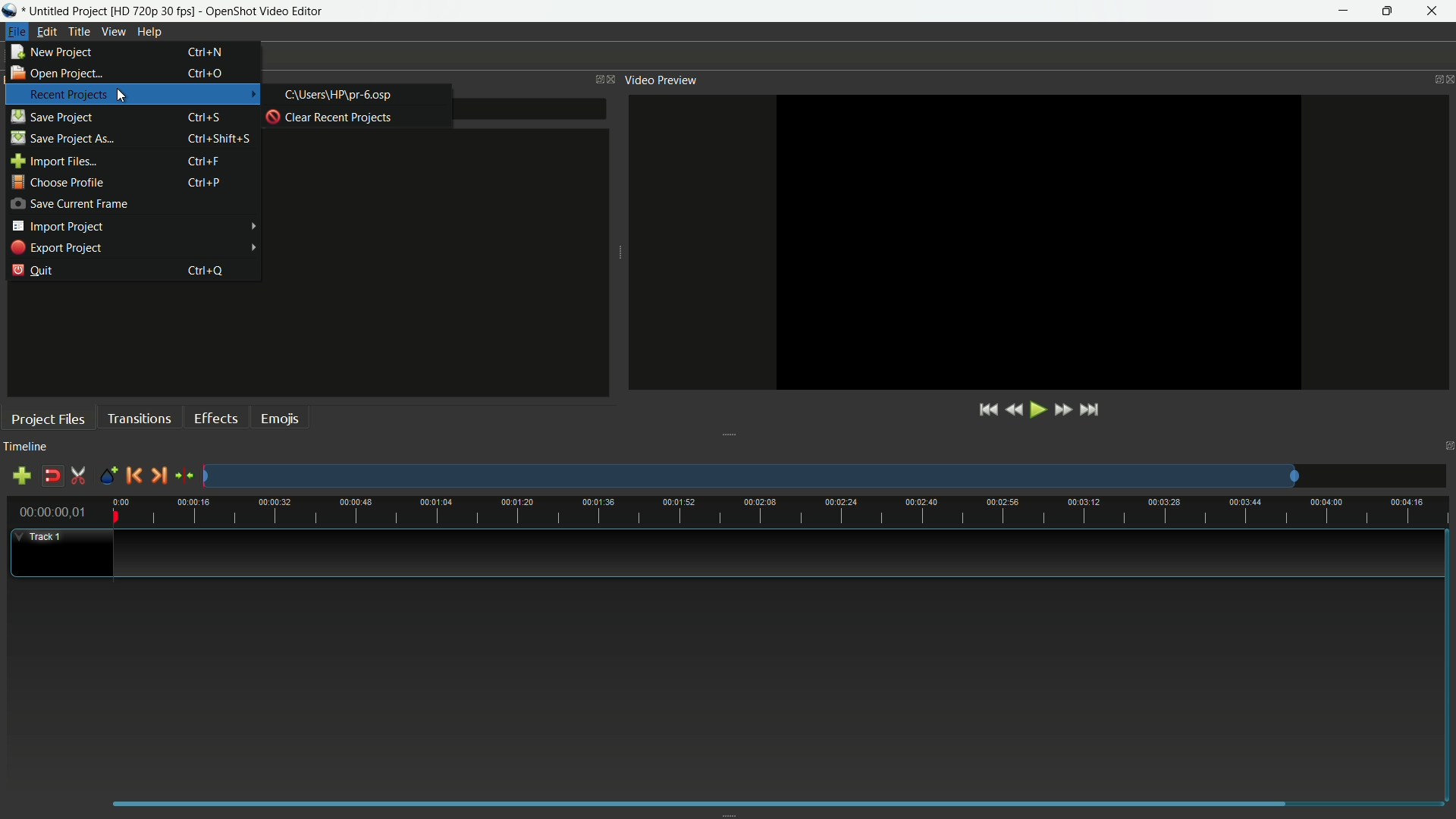 This screenshot has width=1456, height=819. I want to click on choose profile, so click(56, 183).